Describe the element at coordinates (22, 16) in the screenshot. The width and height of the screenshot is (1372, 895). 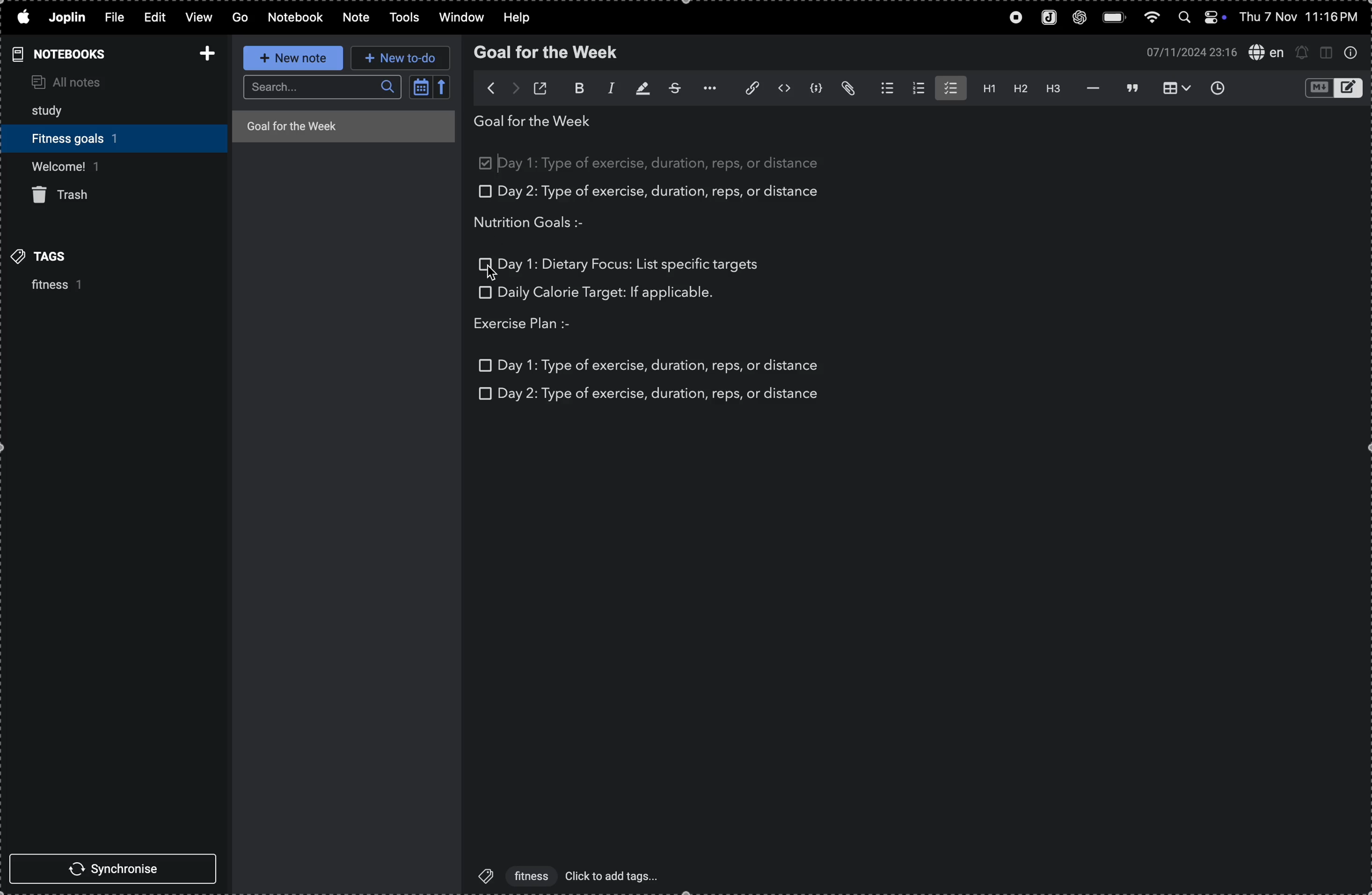
I see `apple logo` at that location.